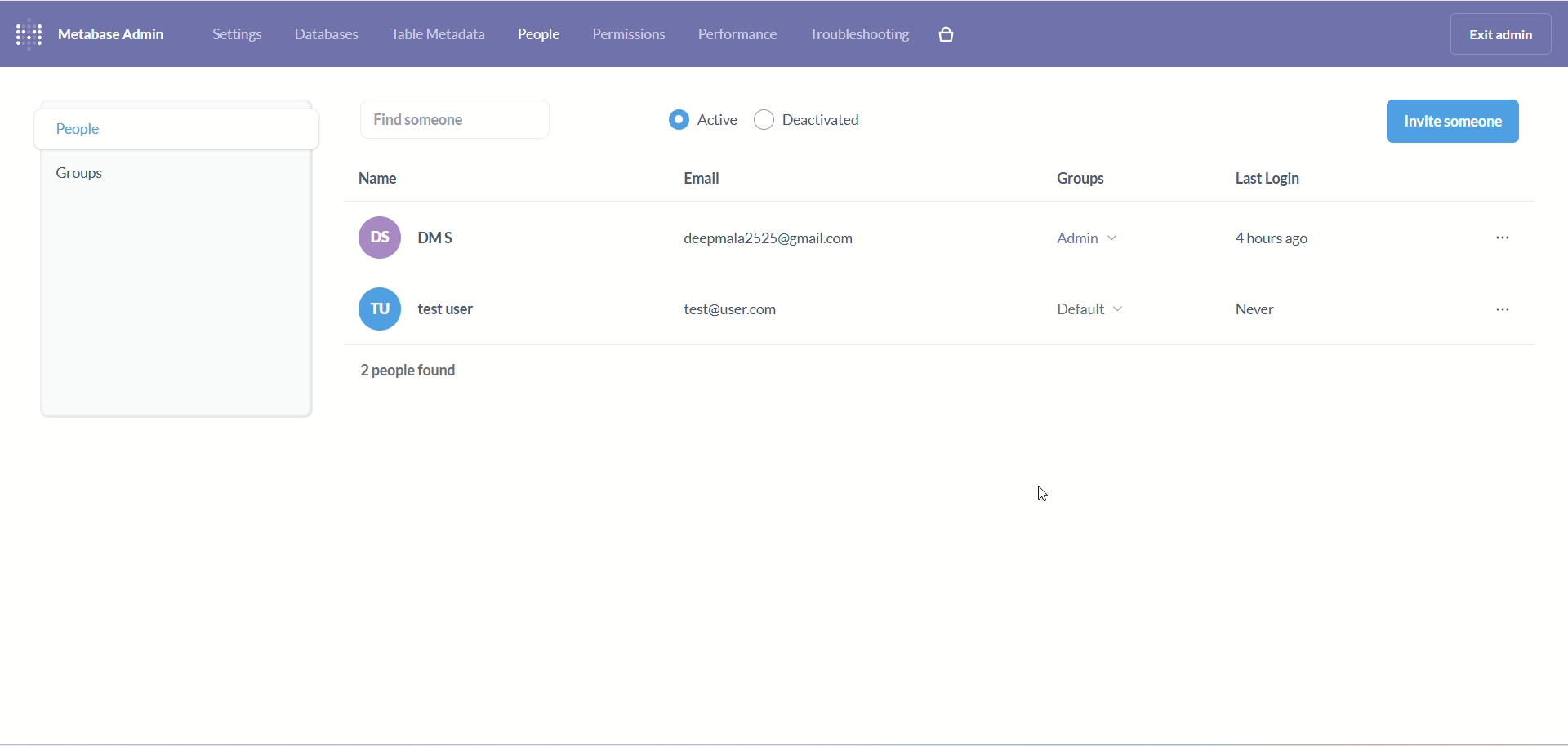 Image resolution: width=1568 pixels, height=746 pixels. I want to click on permissions, so click(634, 36).